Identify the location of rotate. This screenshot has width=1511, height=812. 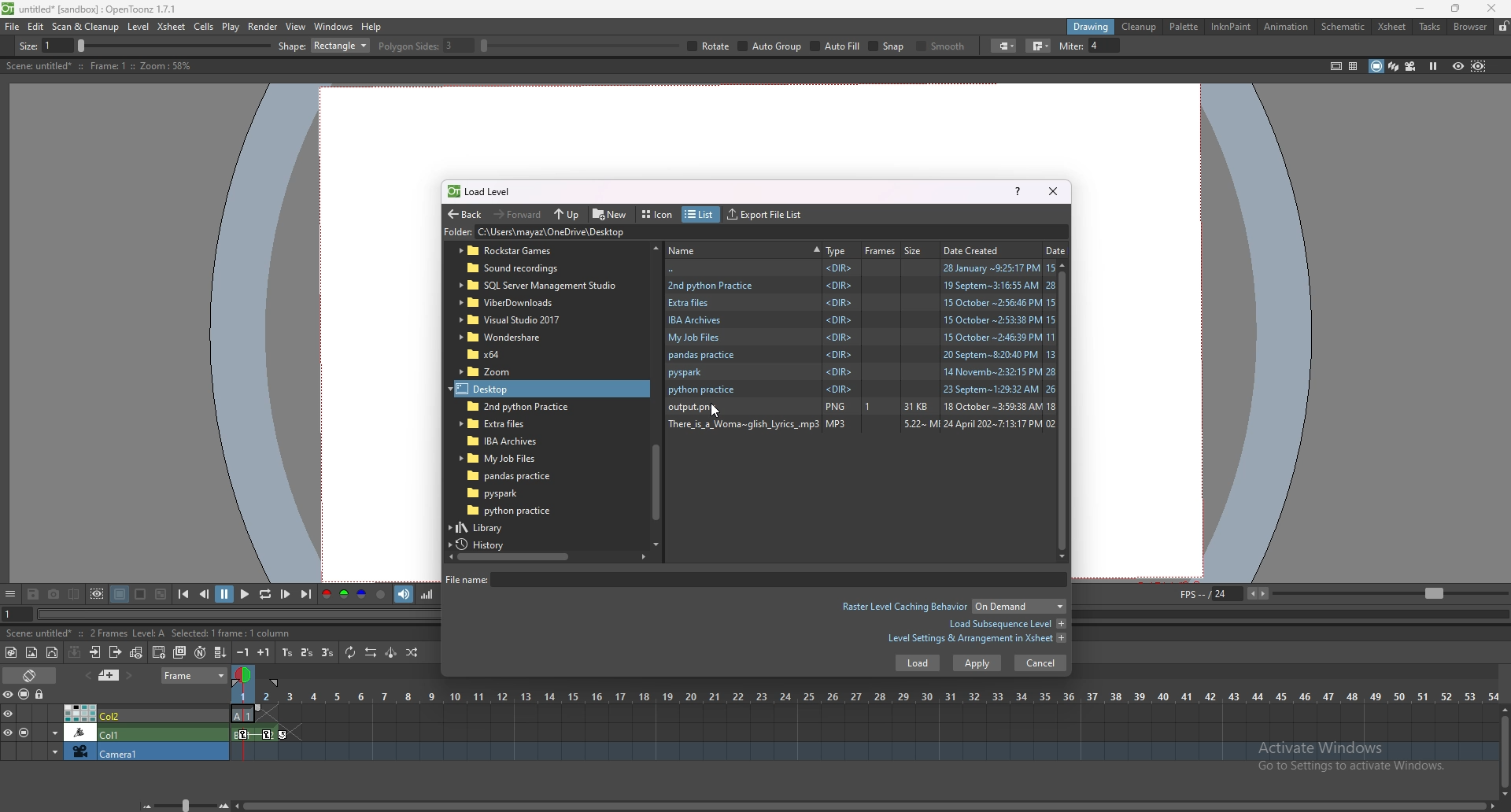
(1026, 46).